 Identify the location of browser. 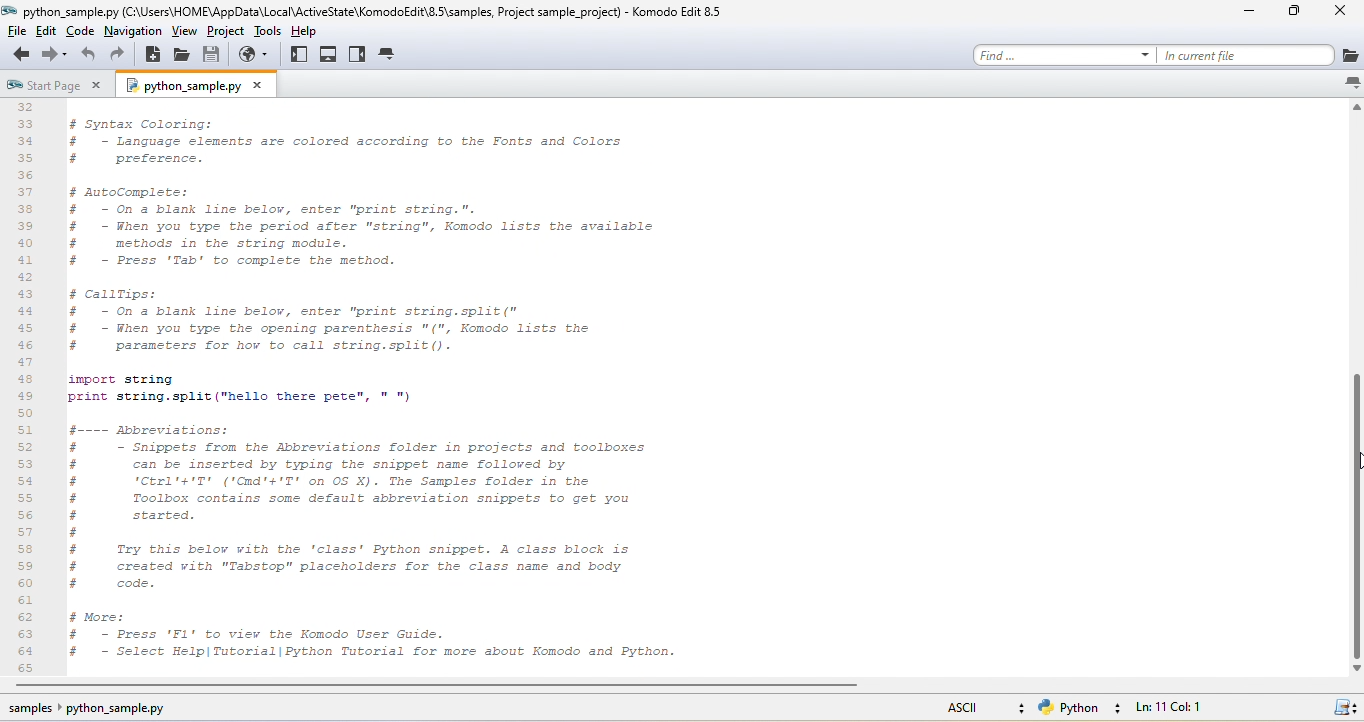
(257, 56).